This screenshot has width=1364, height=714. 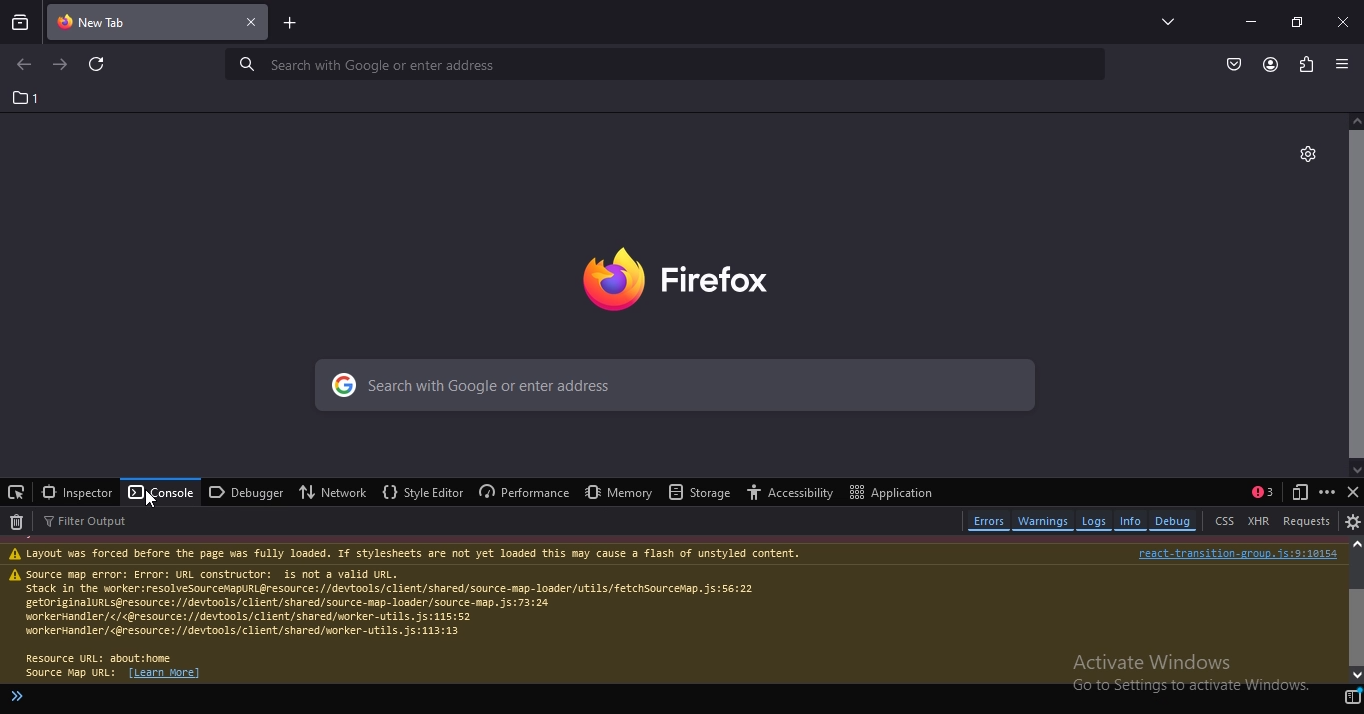 What do you see at coordinates (251, 23) in the screenshot?
I see `close` at bounding box center [251, 23].